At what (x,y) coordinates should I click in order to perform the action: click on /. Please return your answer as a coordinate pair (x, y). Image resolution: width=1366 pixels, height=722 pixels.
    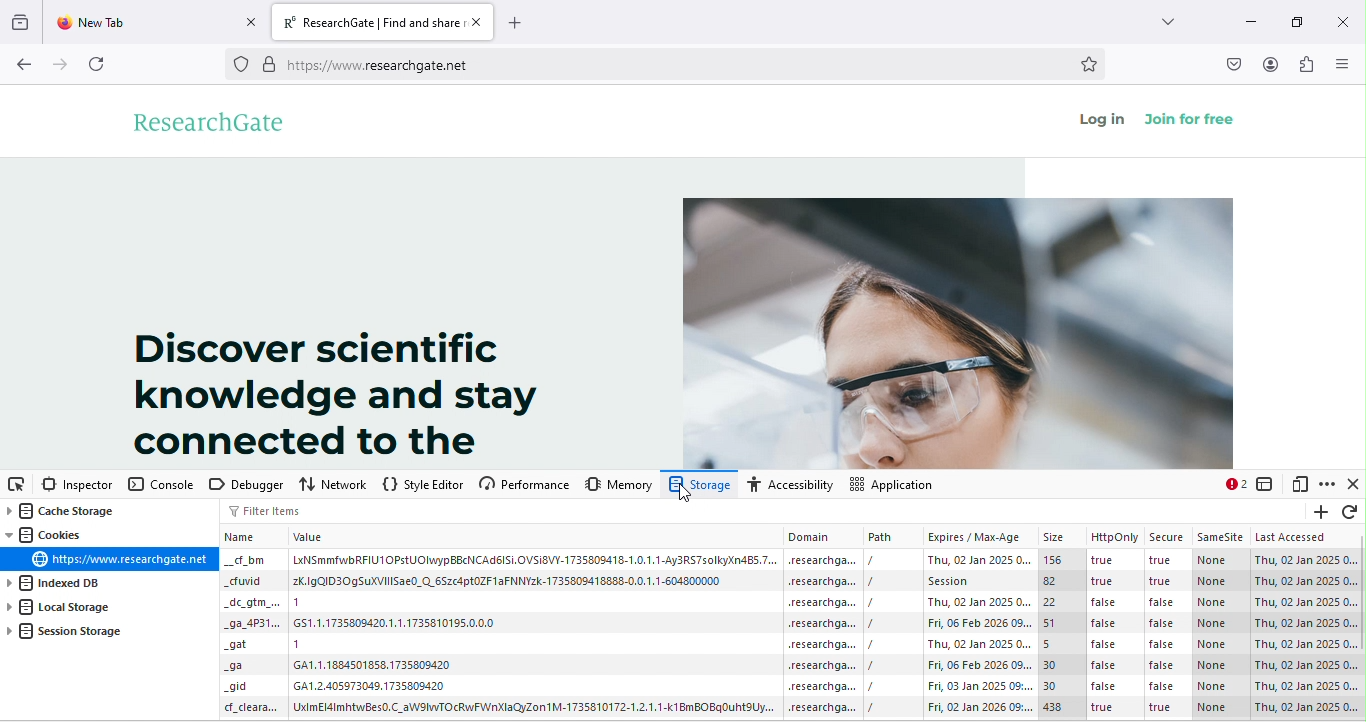
    Looking at the image, I should click on (870, 688).